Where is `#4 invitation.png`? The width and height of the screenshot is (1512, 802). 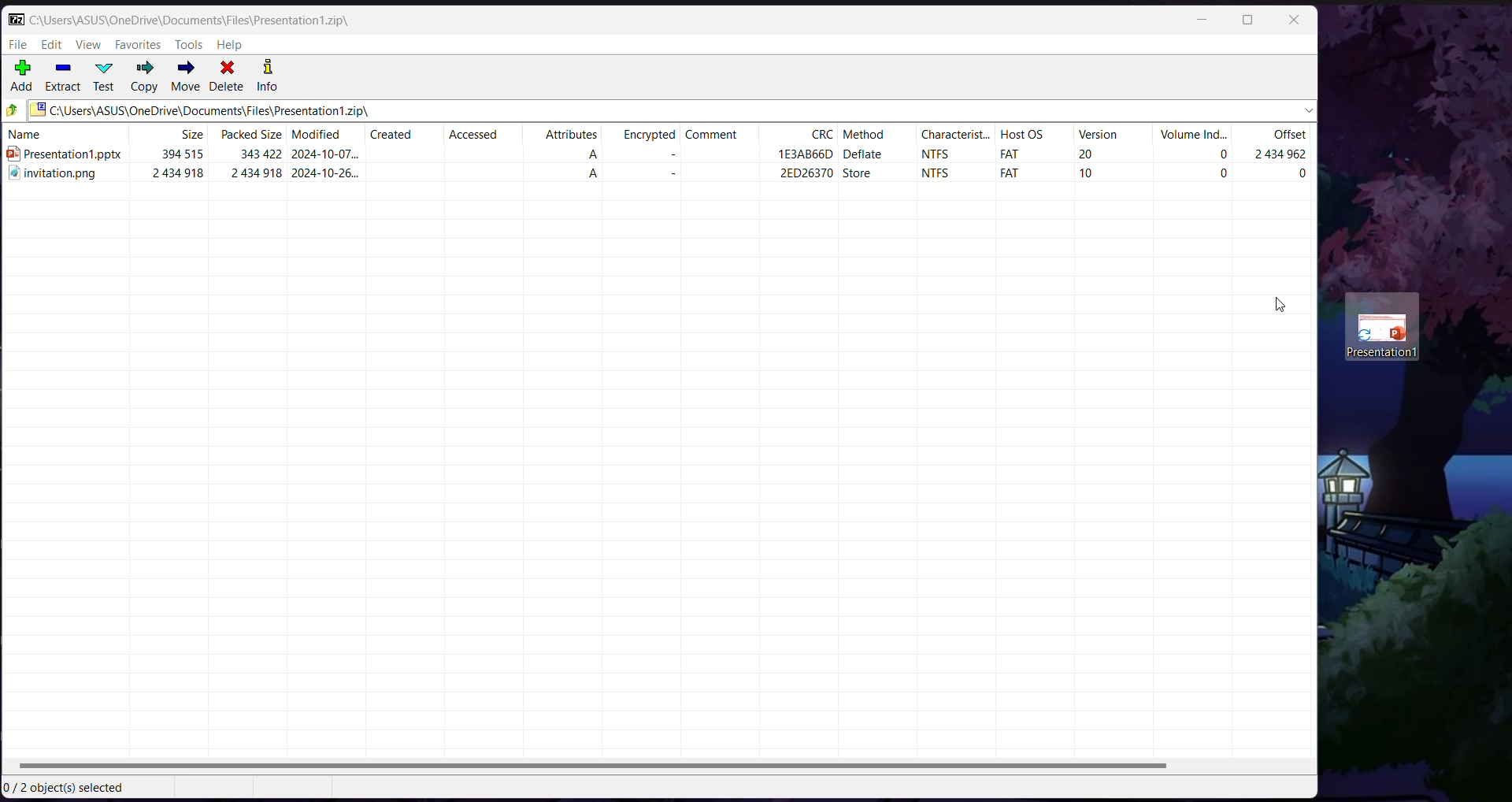 #4 invitation.png is located at coordinates (55, 178).